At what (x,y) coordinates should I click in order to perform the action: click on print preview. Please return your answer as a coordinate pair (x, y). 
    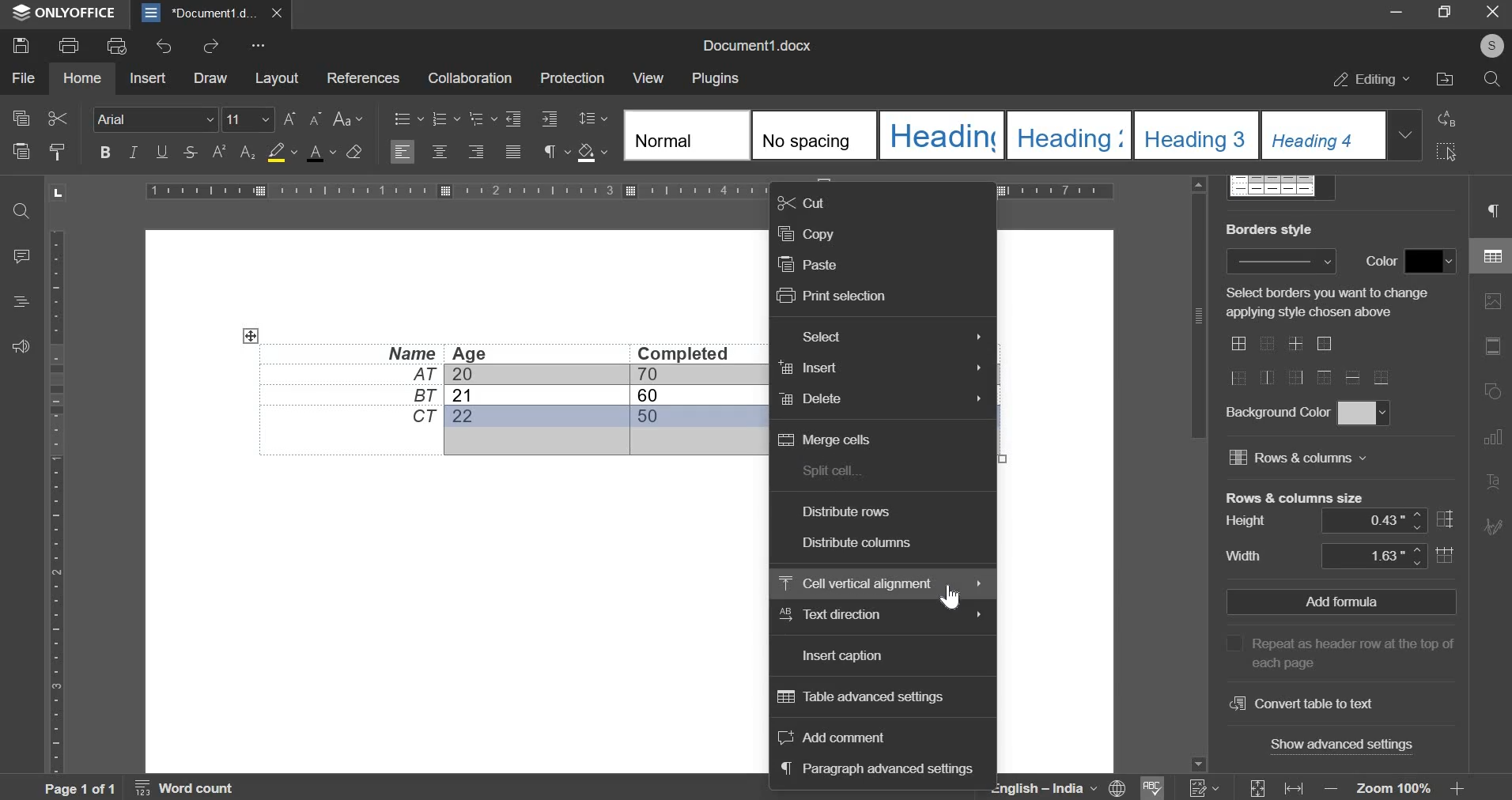
    Looking at the image, I should click on (115, 44).